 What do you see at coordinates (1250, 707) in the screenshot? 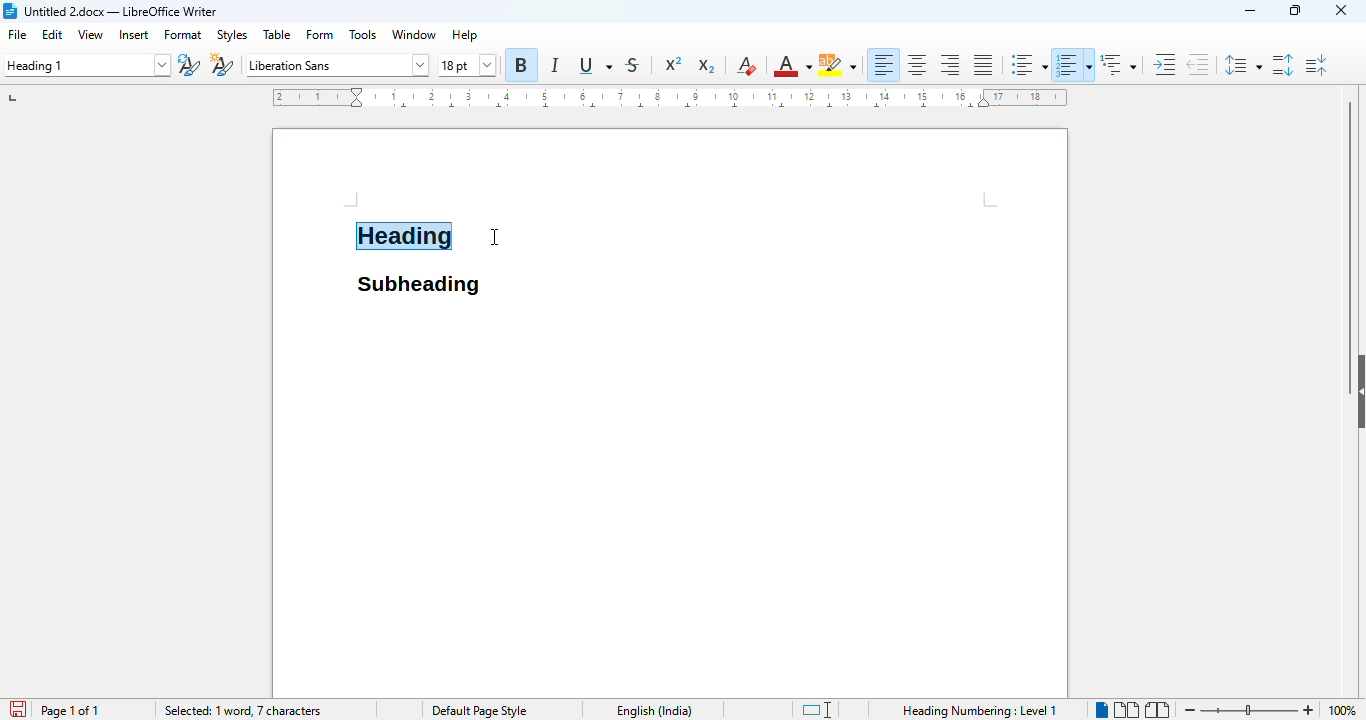
I see `zoom` at bounding box center [1250, 707].